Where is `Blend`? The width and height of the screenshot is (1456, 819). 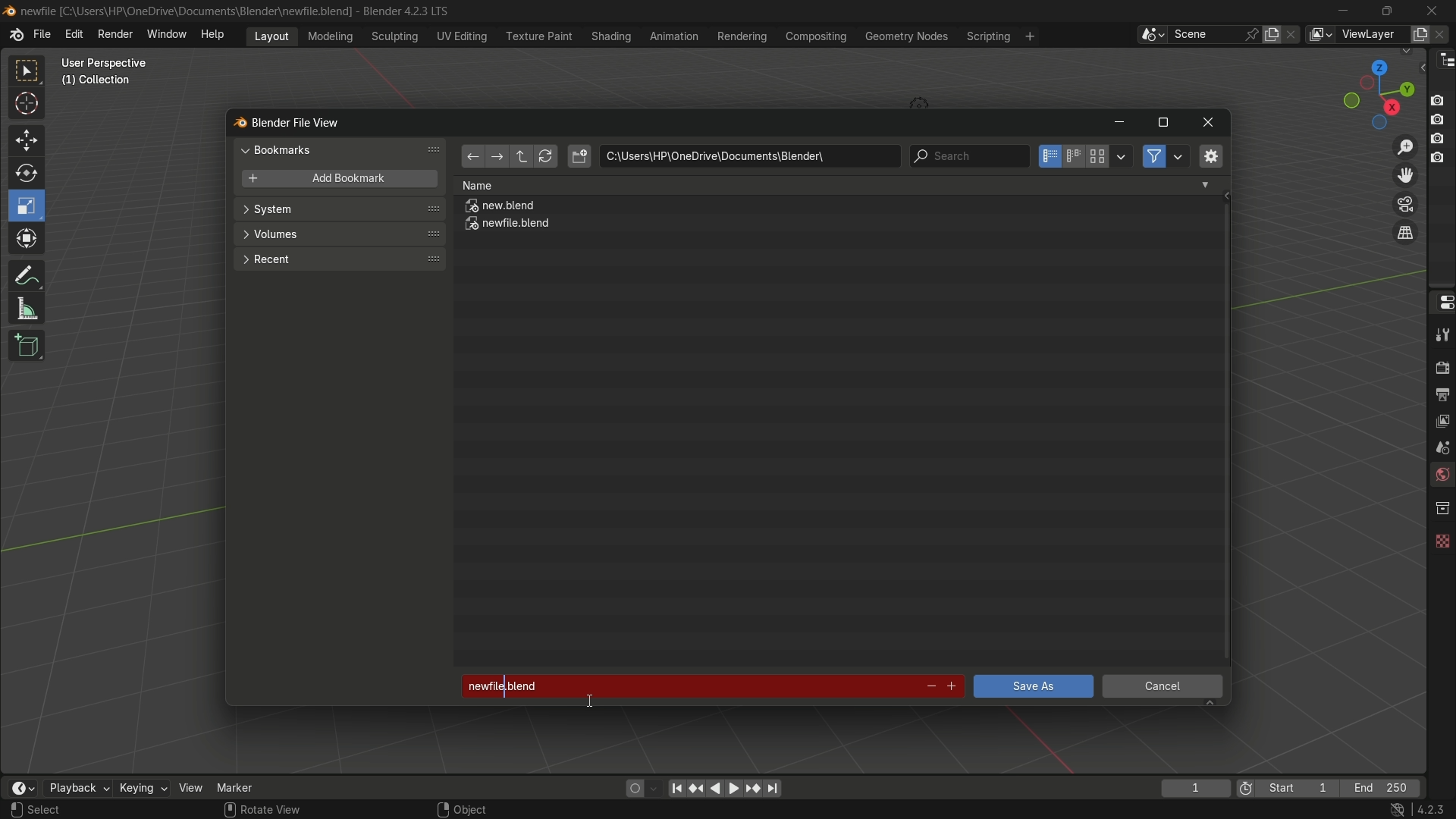 Blend is located at coordinates (9, 10).